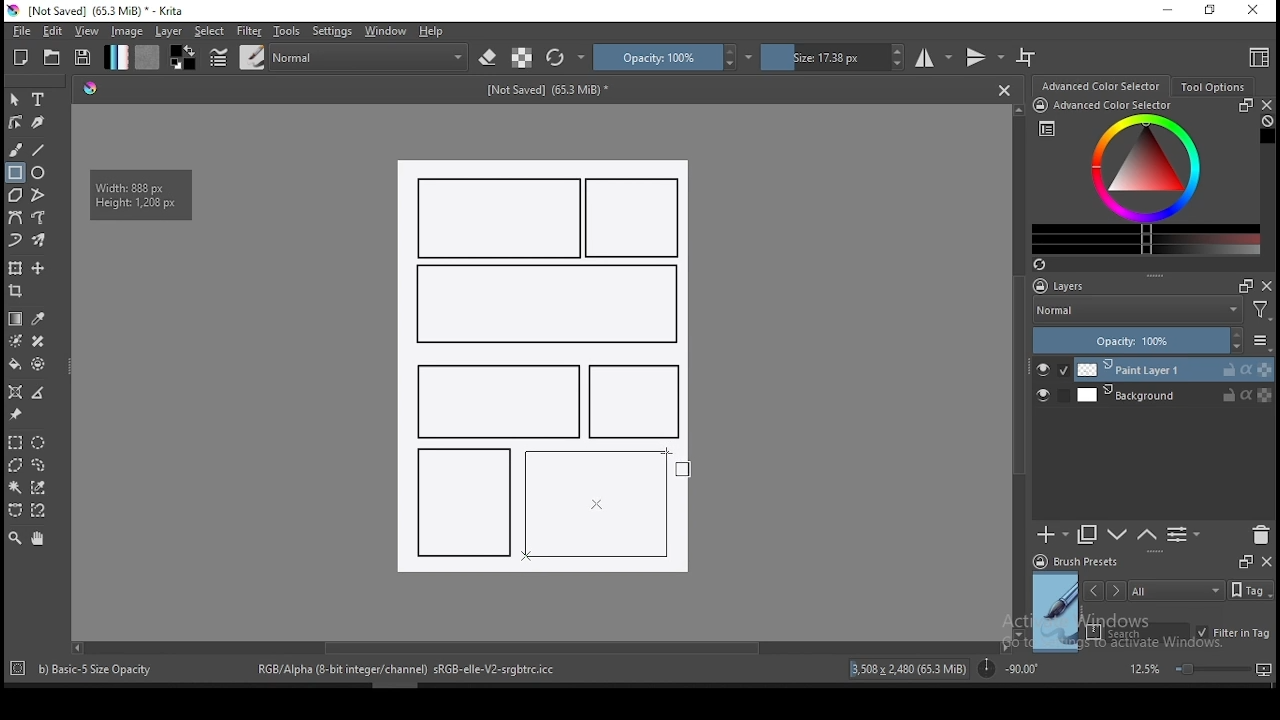 This screenshot has width=1280, height=720. I want to click on new layer, so click(1053, 534).